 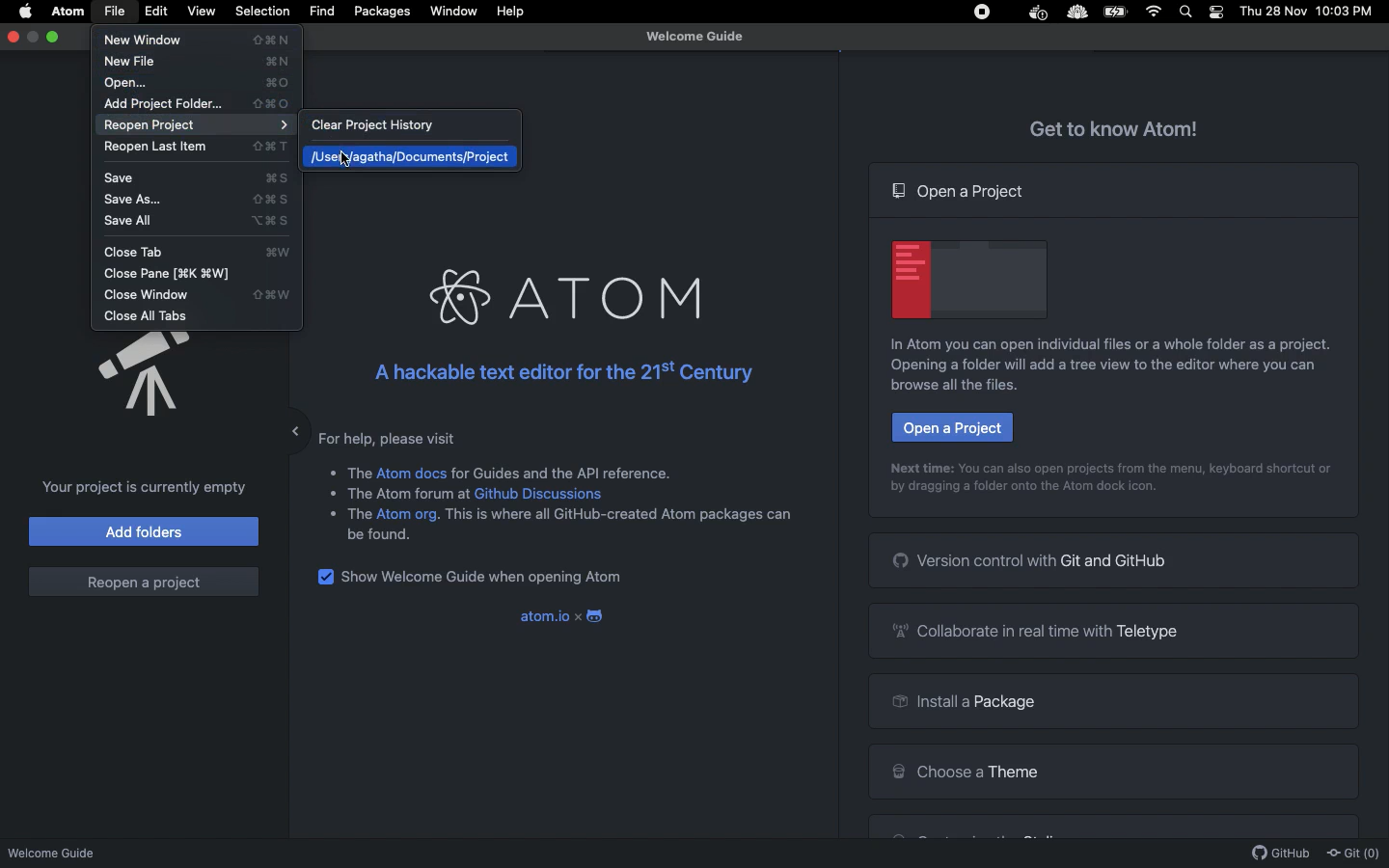 I want to click on Selection, so click(x=262, y=12).